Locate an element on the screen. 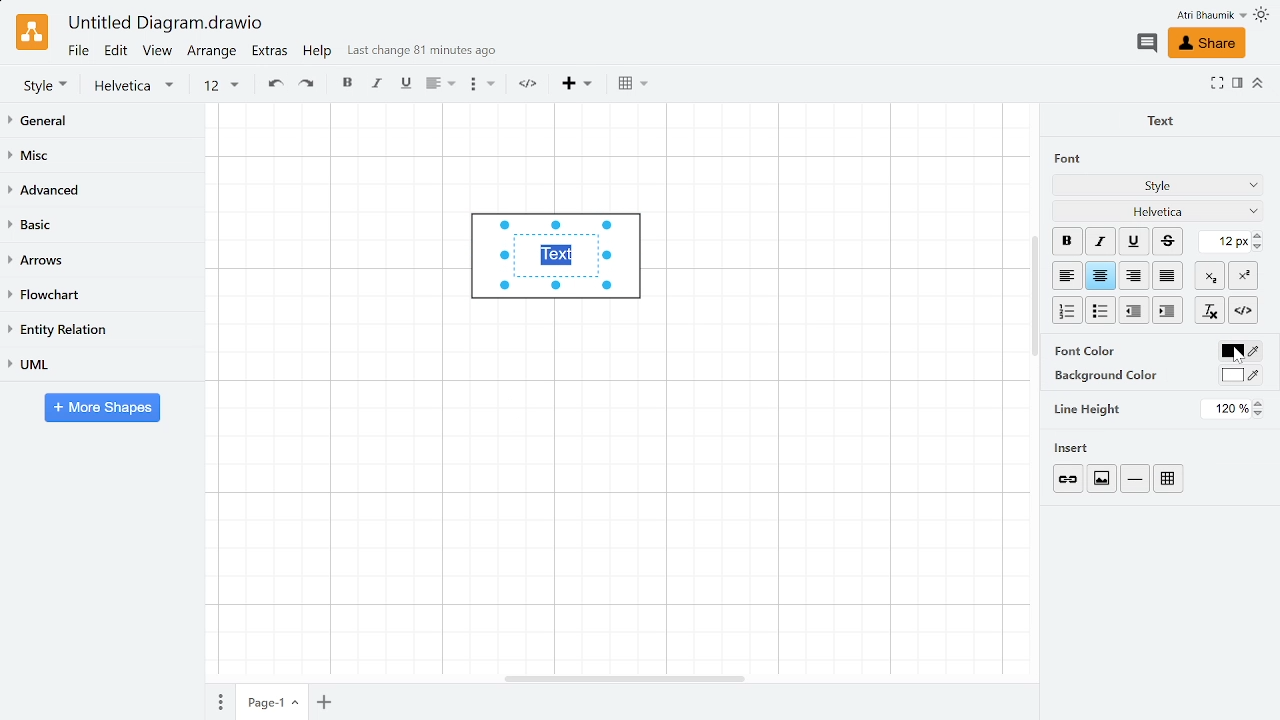 Image resolution: width=1280 pixels, height=720 pixels. Decrease indent is located at coordinates (1167, 310).